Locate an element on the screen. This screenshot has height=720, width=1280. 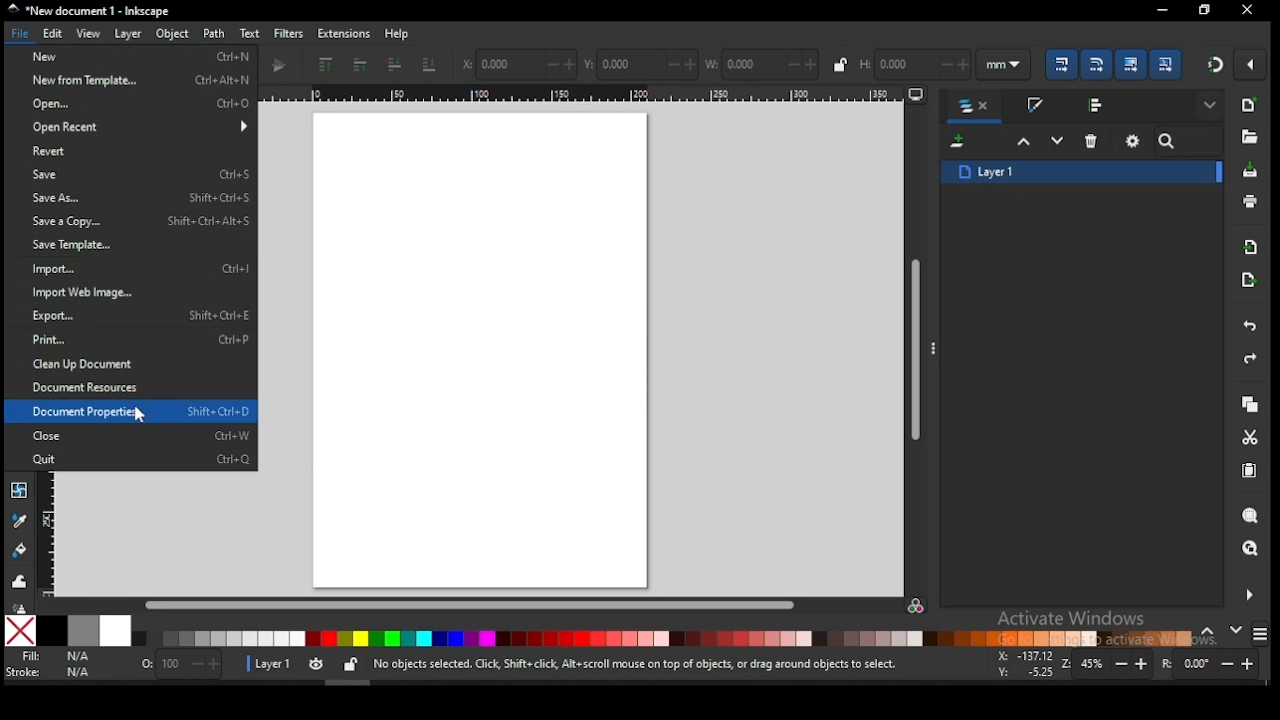
open recent is located at coordinates (137, 126).